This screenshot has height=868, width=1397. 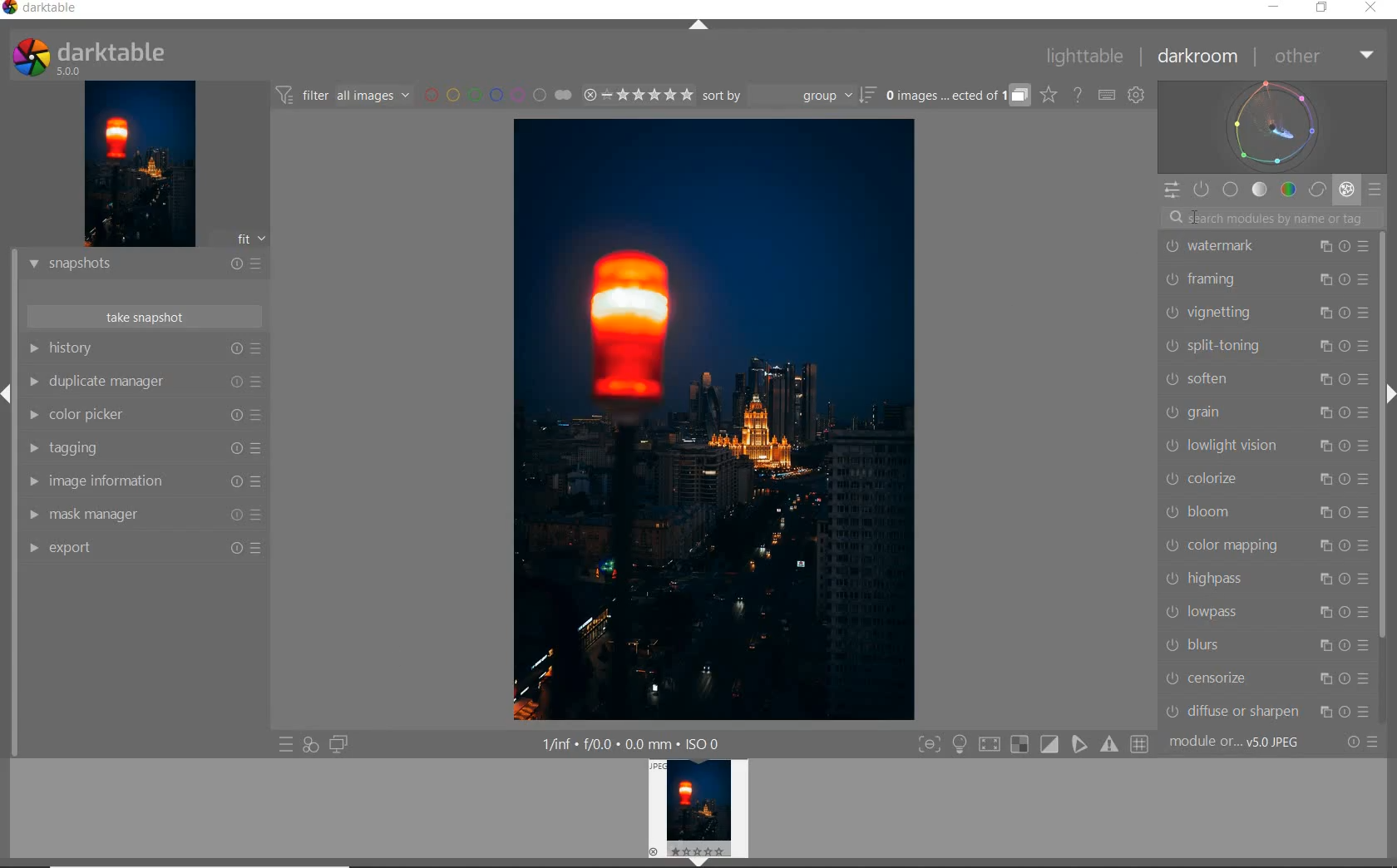 What do you see at coordinates (140, 163) in the screenshot?
I see `IMAGE PREVIEW` at bounding box center [140, 163].